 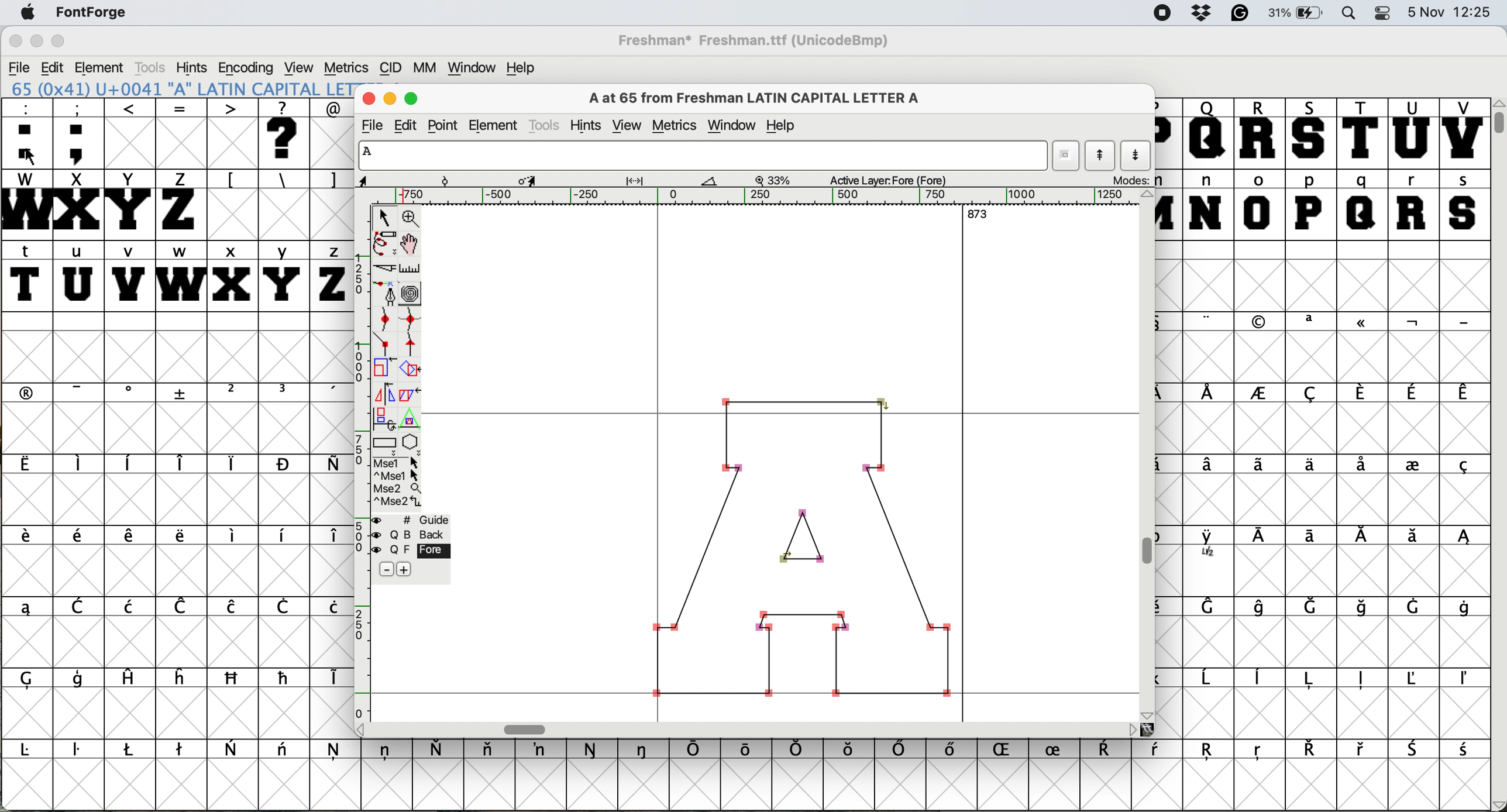 I want to click on symbol, so click(x=133, y=537).